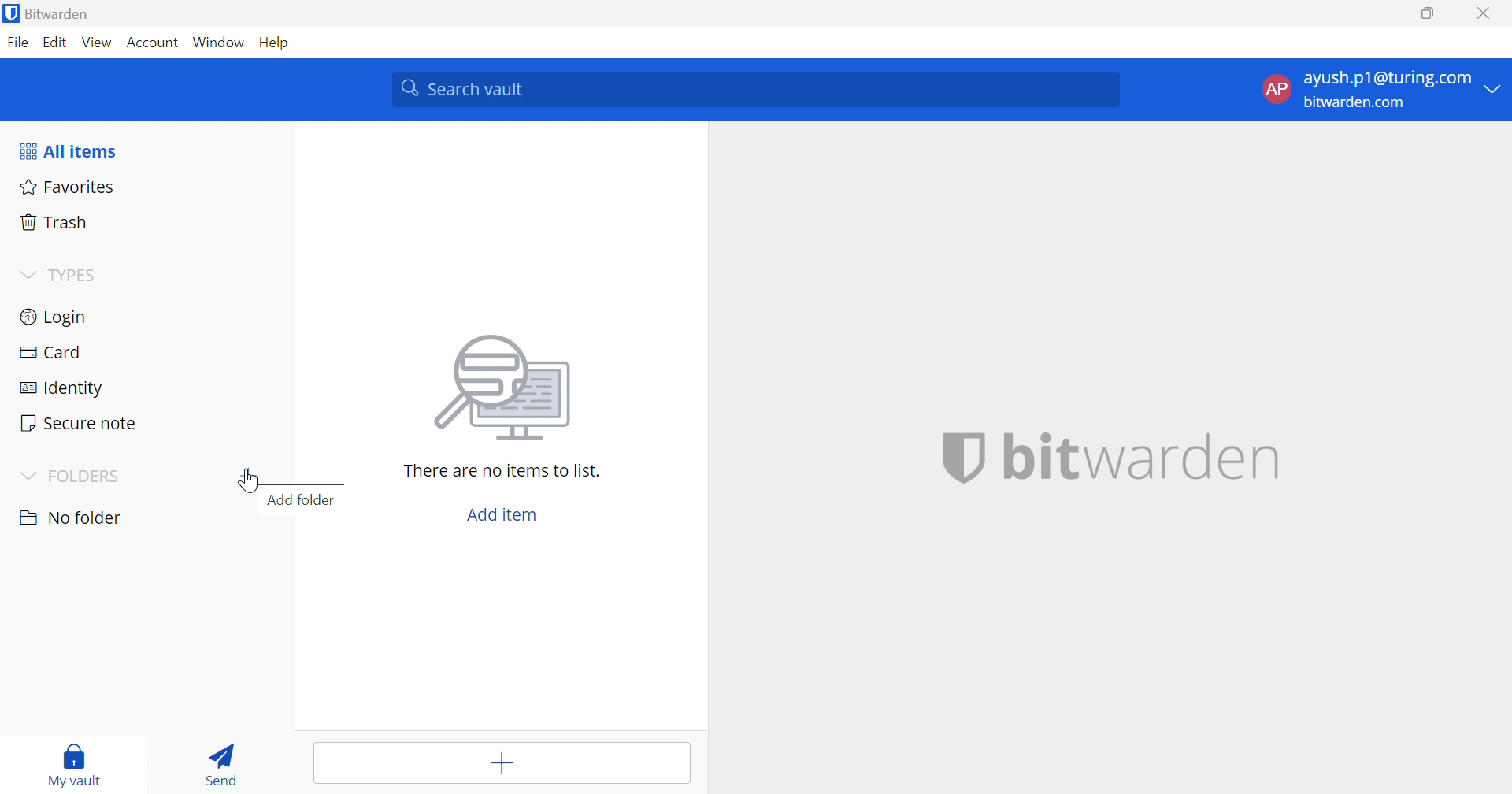 This screenshot has width=1512, height=794. Describe the element at coordinates (50, 353) in the screenshot. I see `Card` at that location.